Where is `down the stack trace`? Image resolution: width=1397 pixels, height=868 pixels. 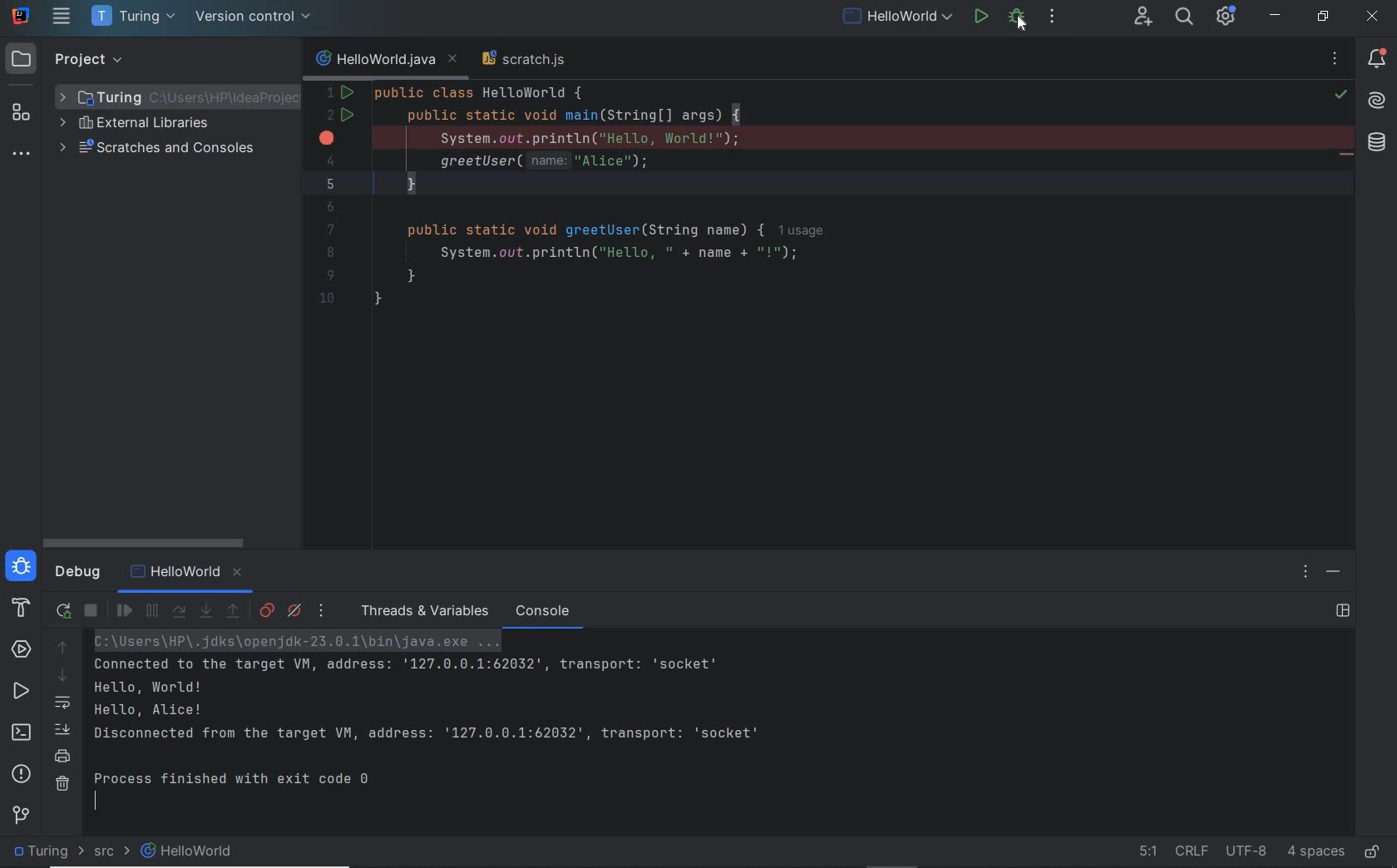 down the stack trace is located at coordinates (62, 676).